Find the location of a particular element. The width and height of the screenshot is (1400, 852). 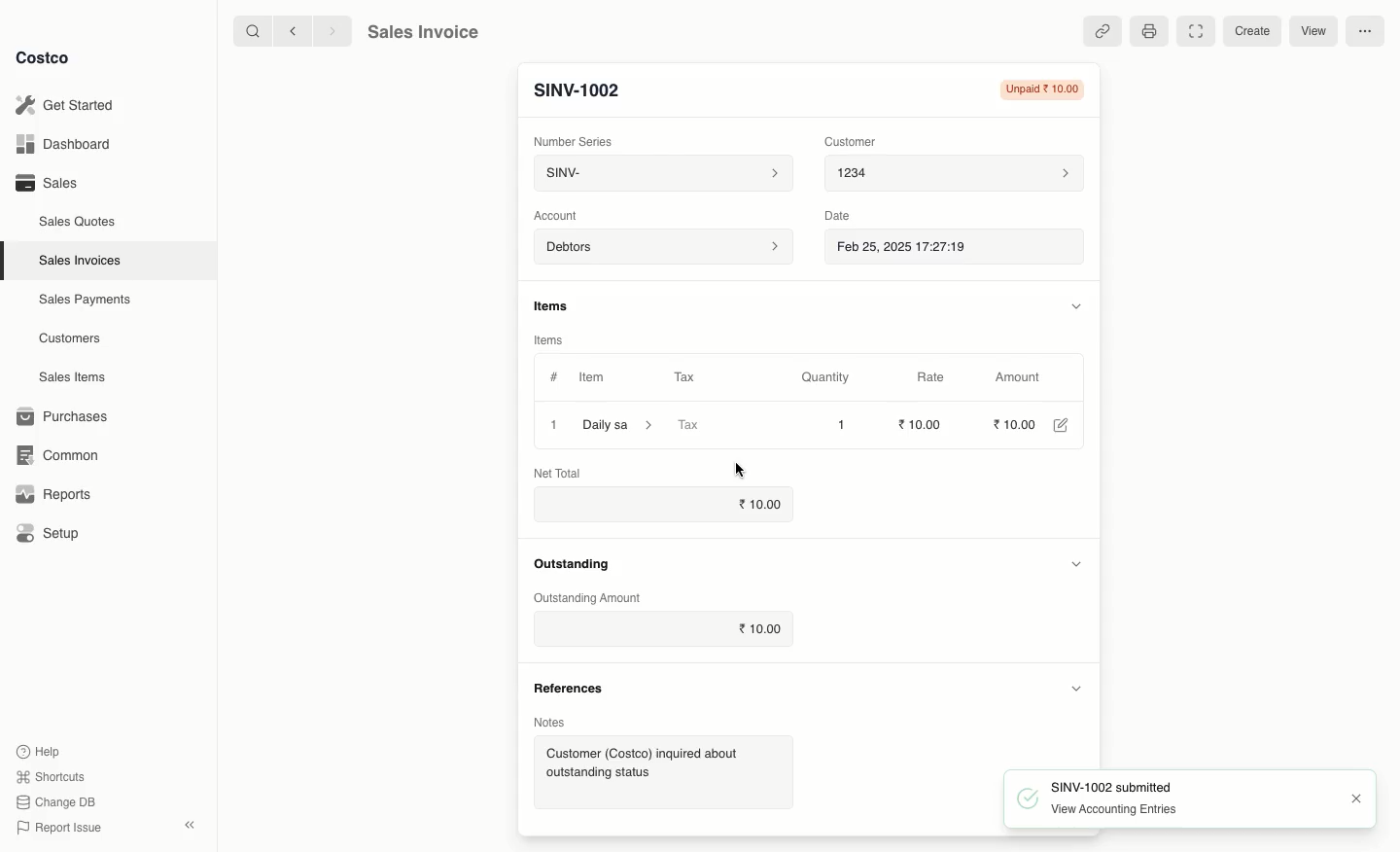

10.00 is located at coordinates (916, 424).